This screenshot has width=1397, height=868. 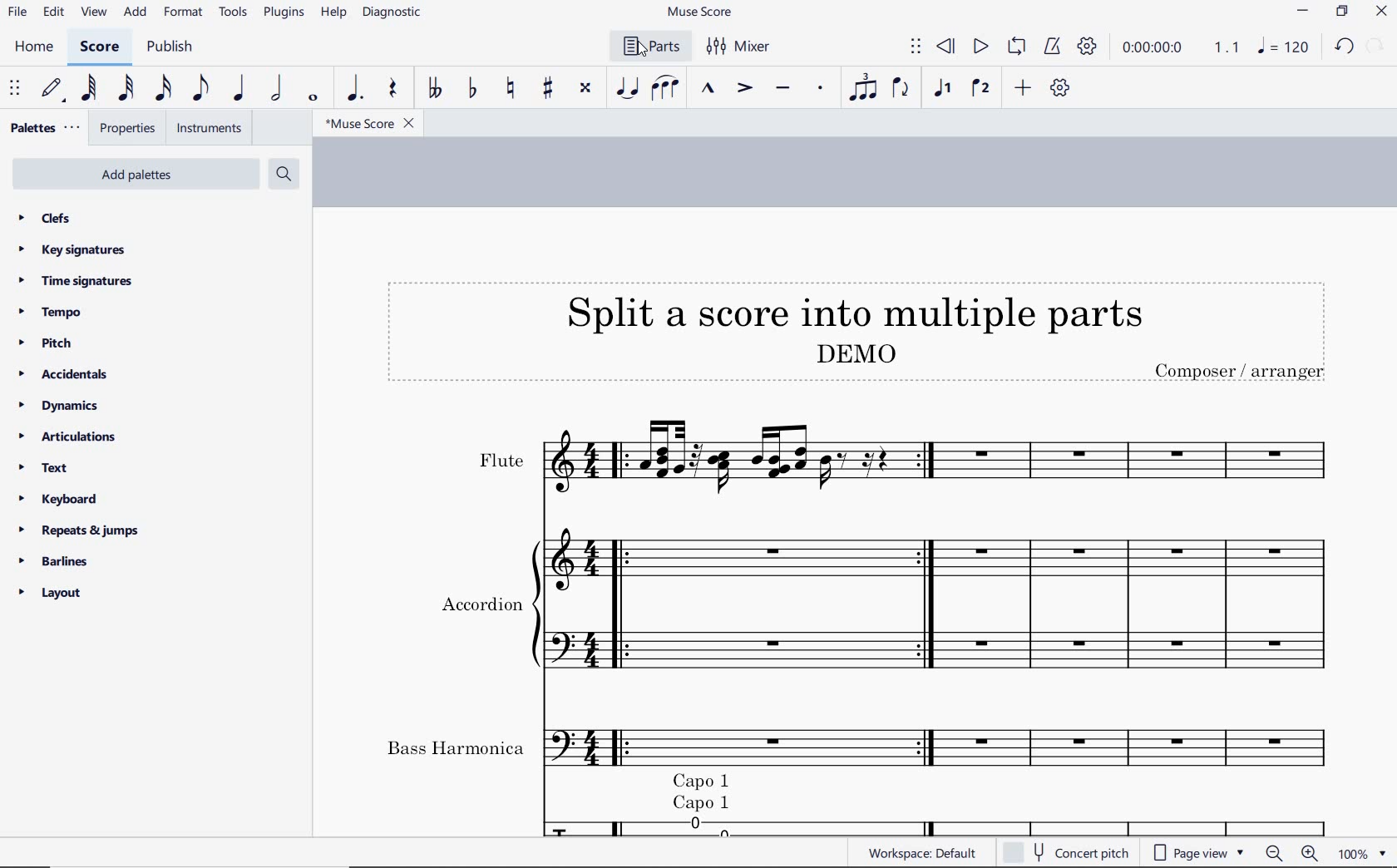 I want to click on help, so click(x=333, y=13).